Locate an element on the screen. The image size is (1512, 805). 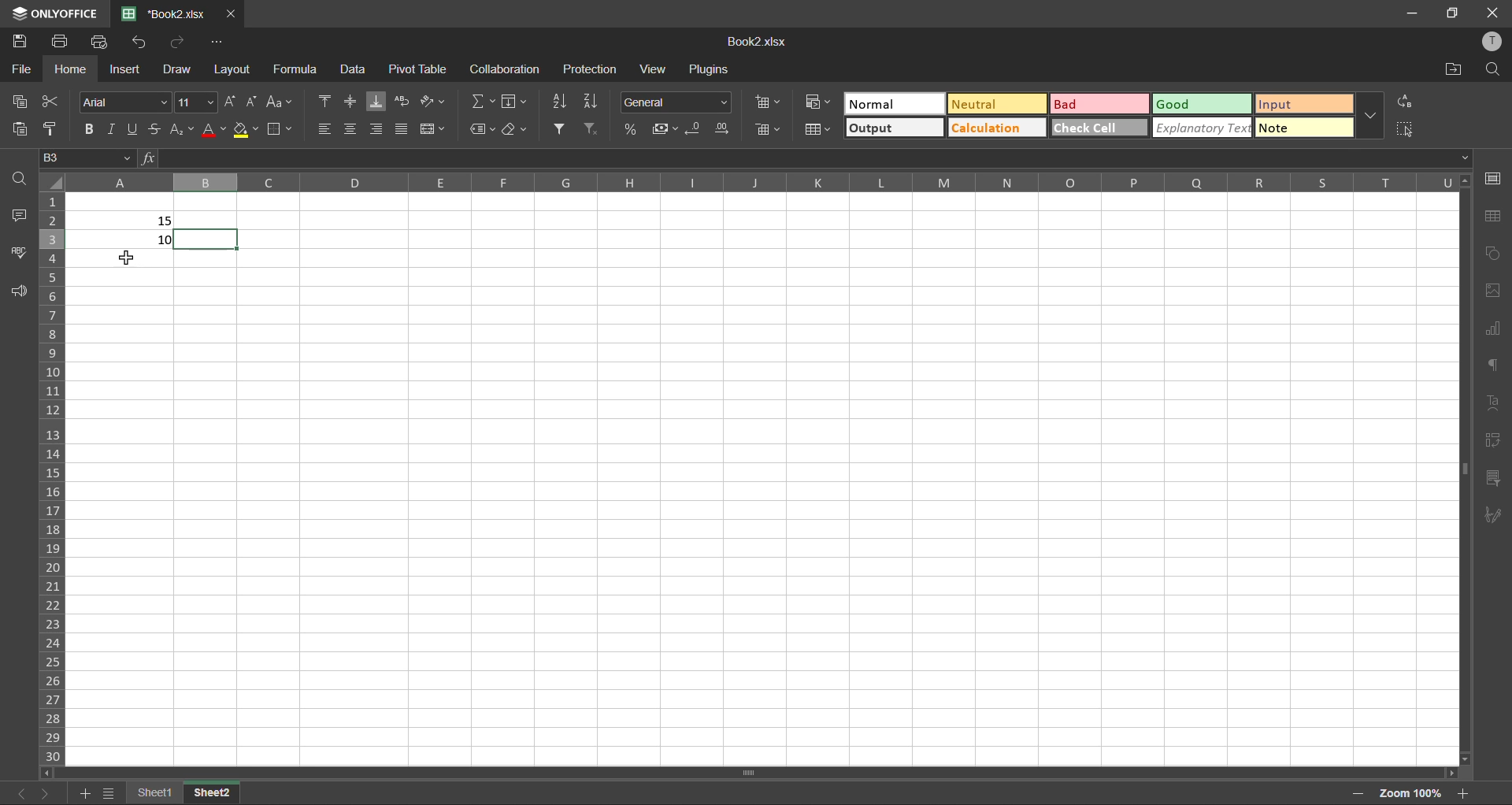
feedback is located at coordinates (21, 292).